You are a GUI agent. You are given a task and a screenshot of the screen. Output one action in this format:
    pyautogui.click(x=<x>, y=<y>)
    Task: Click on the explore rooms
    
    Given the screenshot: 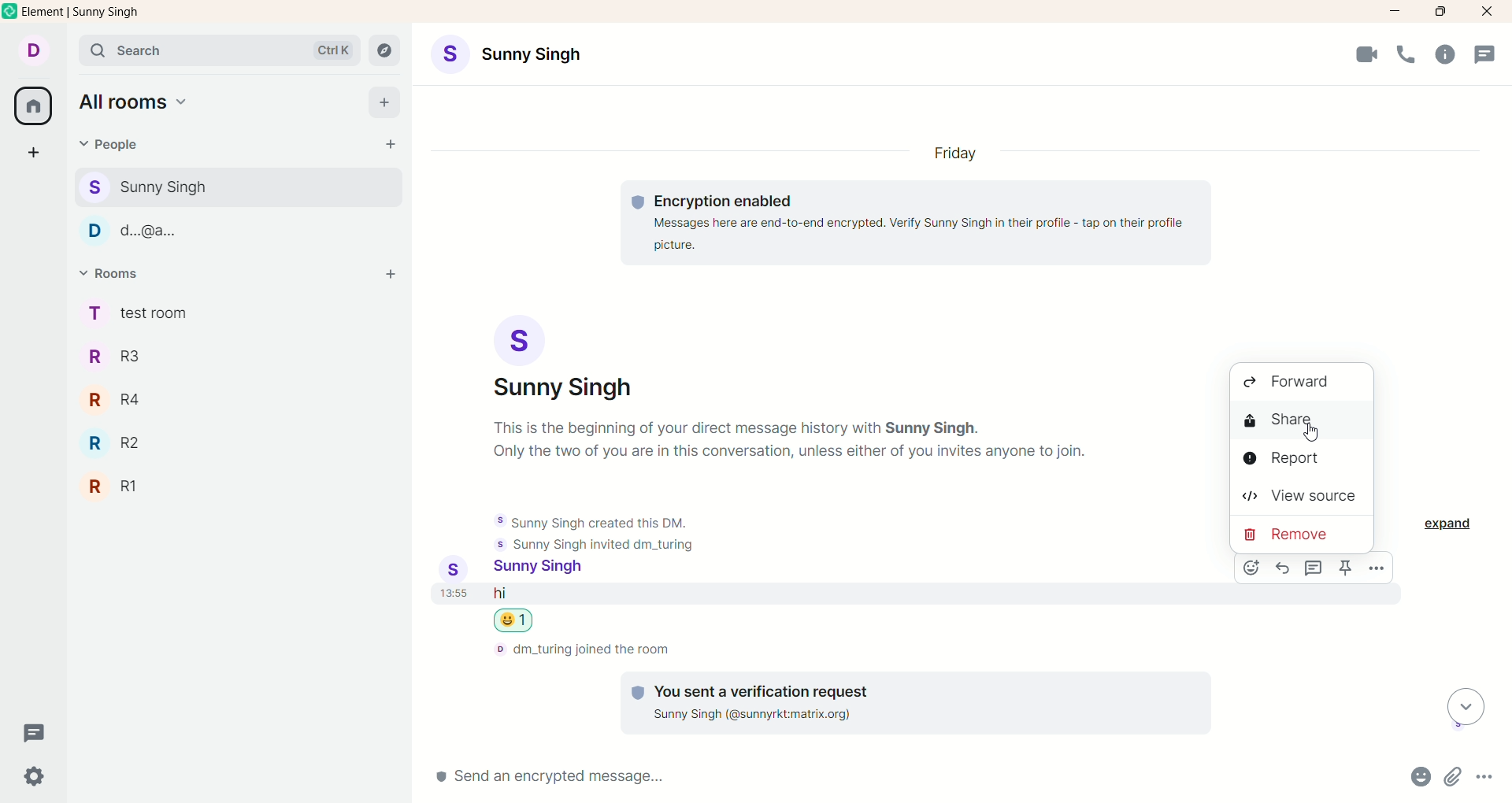 What is the action you would take?
    pyautogui.click(x=385, y=52)
    